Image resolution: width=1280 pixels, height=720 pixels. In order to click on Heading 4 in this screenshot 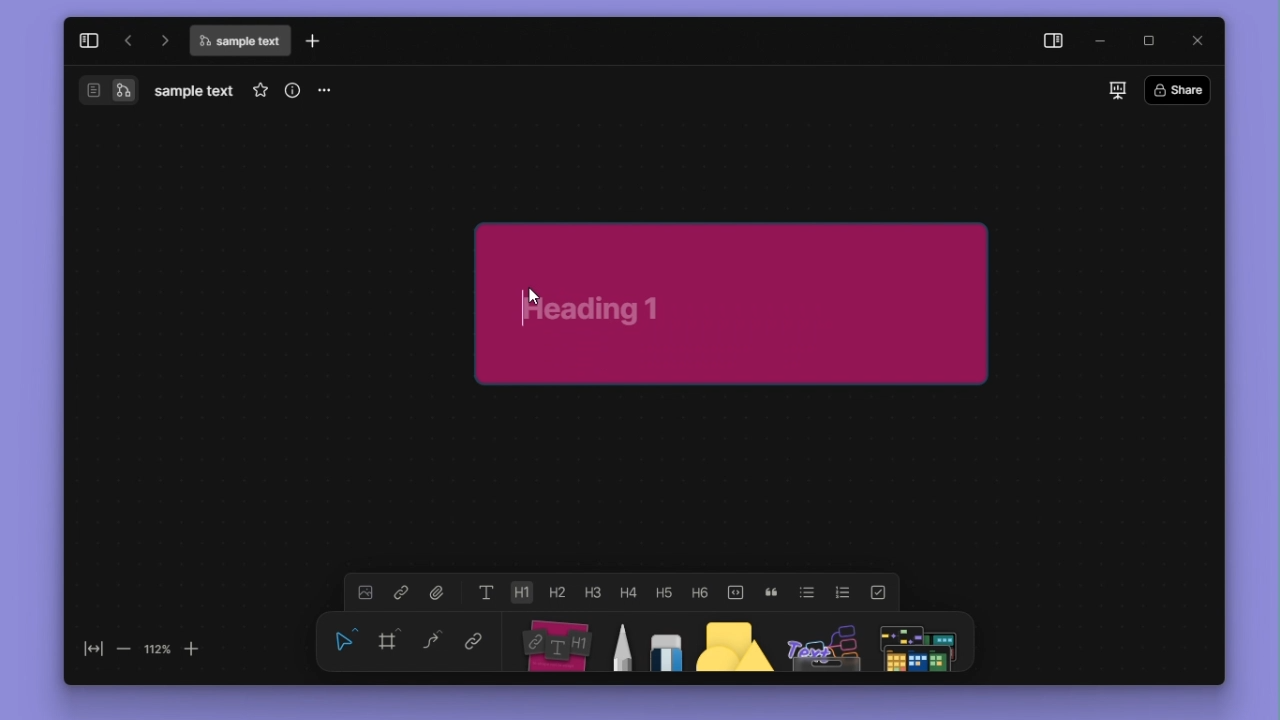, I will do `click(628, 592)`.